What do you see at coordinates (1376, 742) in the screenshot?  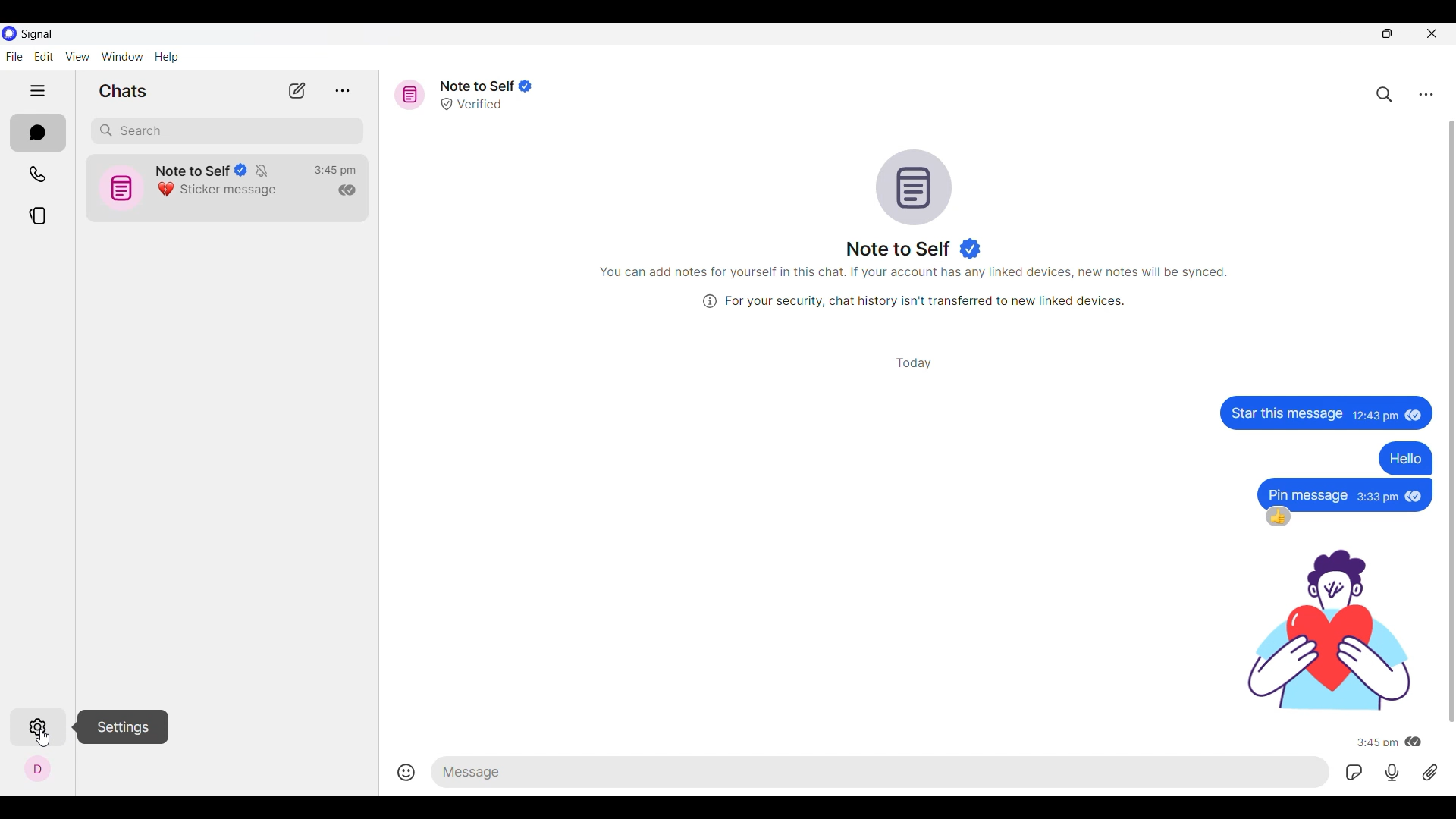 I see `Time of  message` at bounding box center [1376, 742].